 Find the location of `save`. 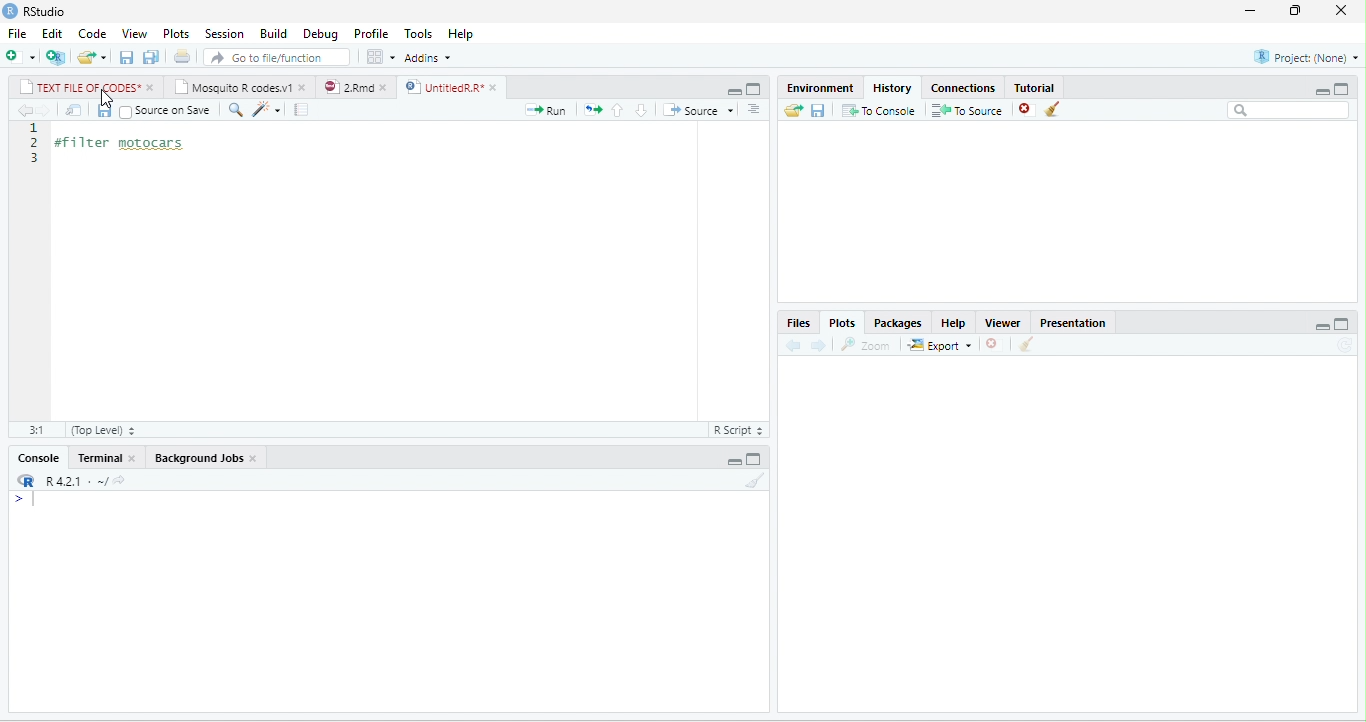

save is located at coordinates (104, 110).